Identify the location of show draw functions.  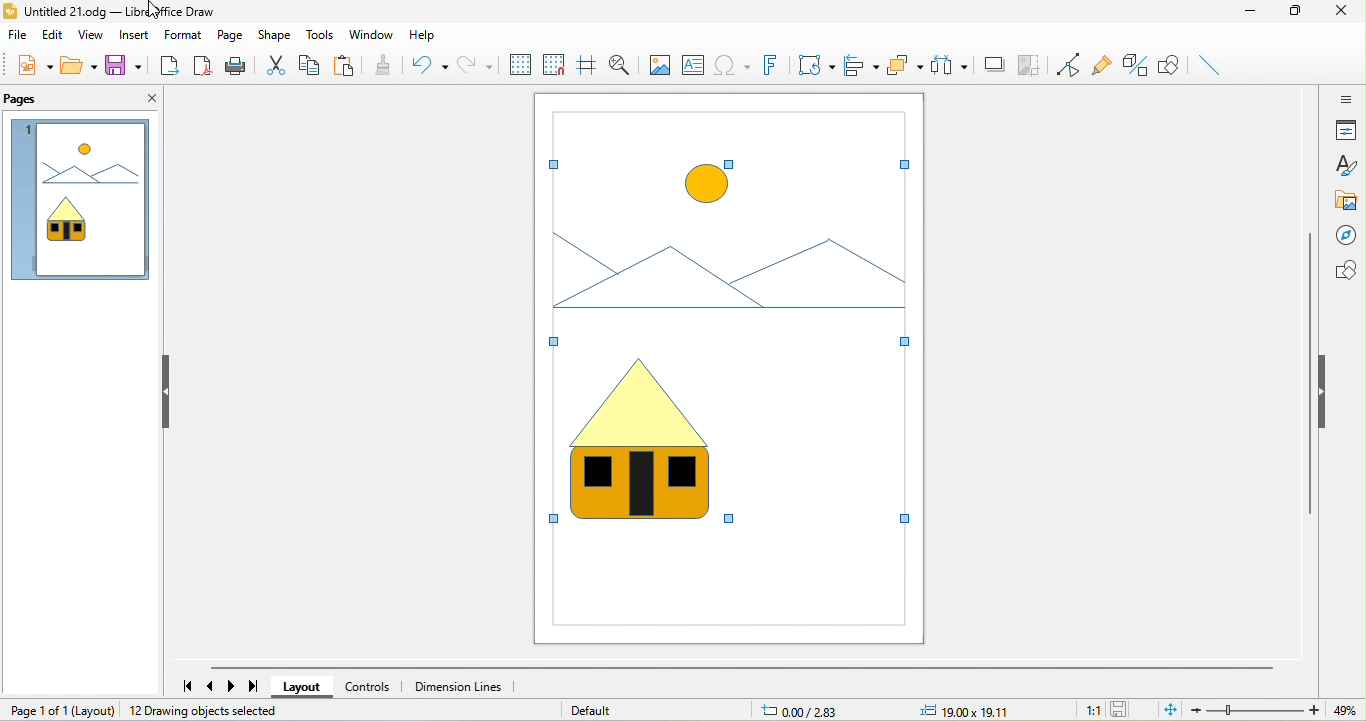
(1176, 67).